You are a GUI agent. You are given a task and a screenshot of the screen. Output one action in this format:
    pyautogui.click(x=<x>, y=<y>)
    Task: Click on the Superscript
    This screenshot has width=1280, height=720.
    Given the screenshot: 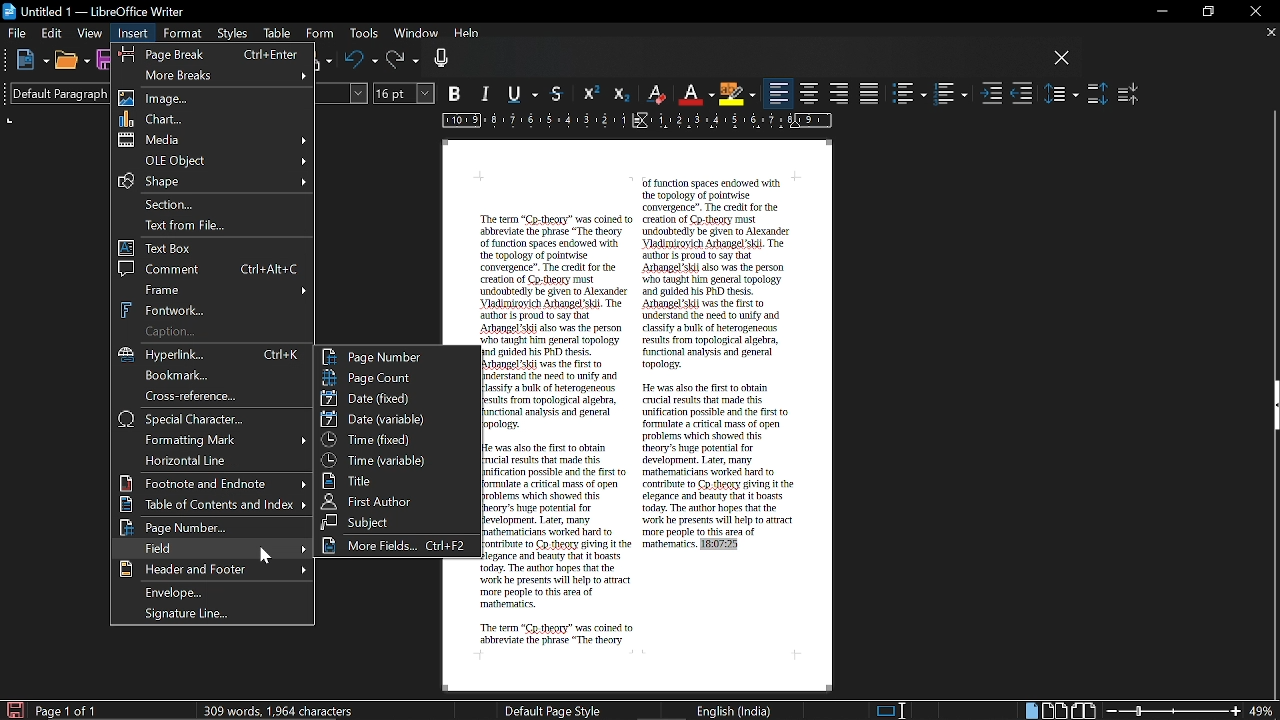 What is the action you would take?
    pyautogui.click(x=589, y=94)
    